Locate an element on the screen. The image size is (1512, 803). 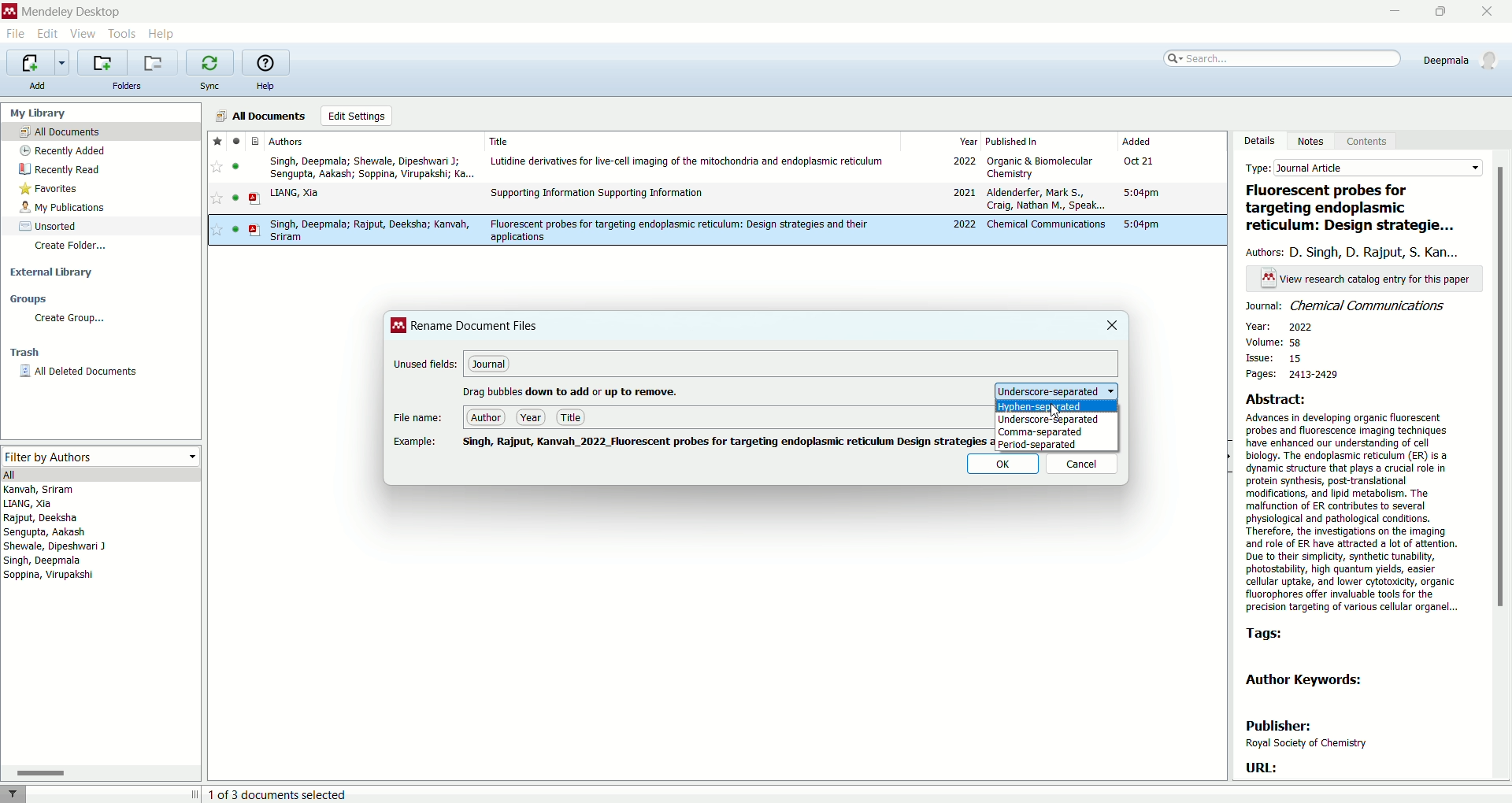
publisher is located at coordinates (1306, 735).